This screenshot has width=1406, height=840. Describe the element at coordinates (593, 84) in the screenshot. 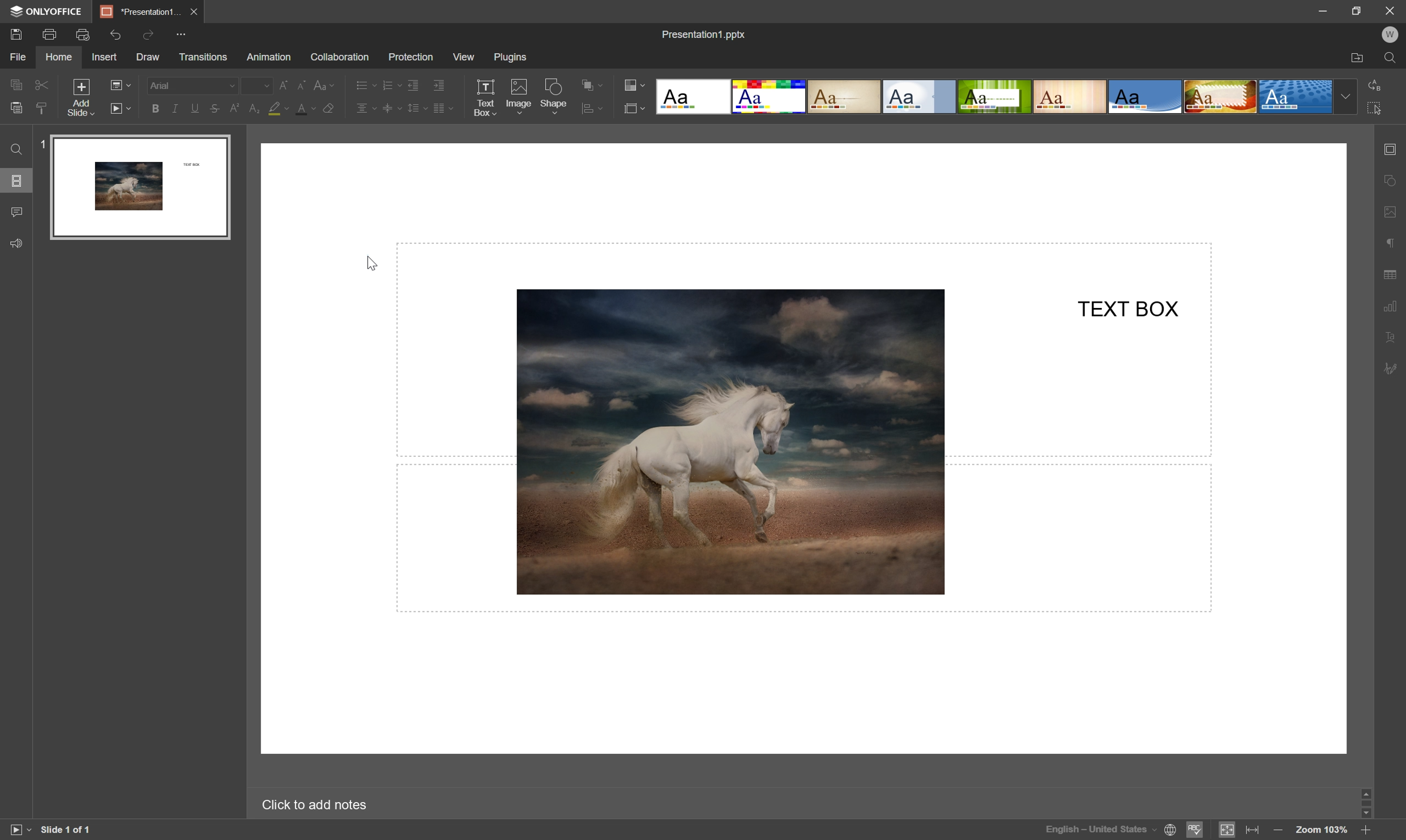

I see `arrange shape` at that location.